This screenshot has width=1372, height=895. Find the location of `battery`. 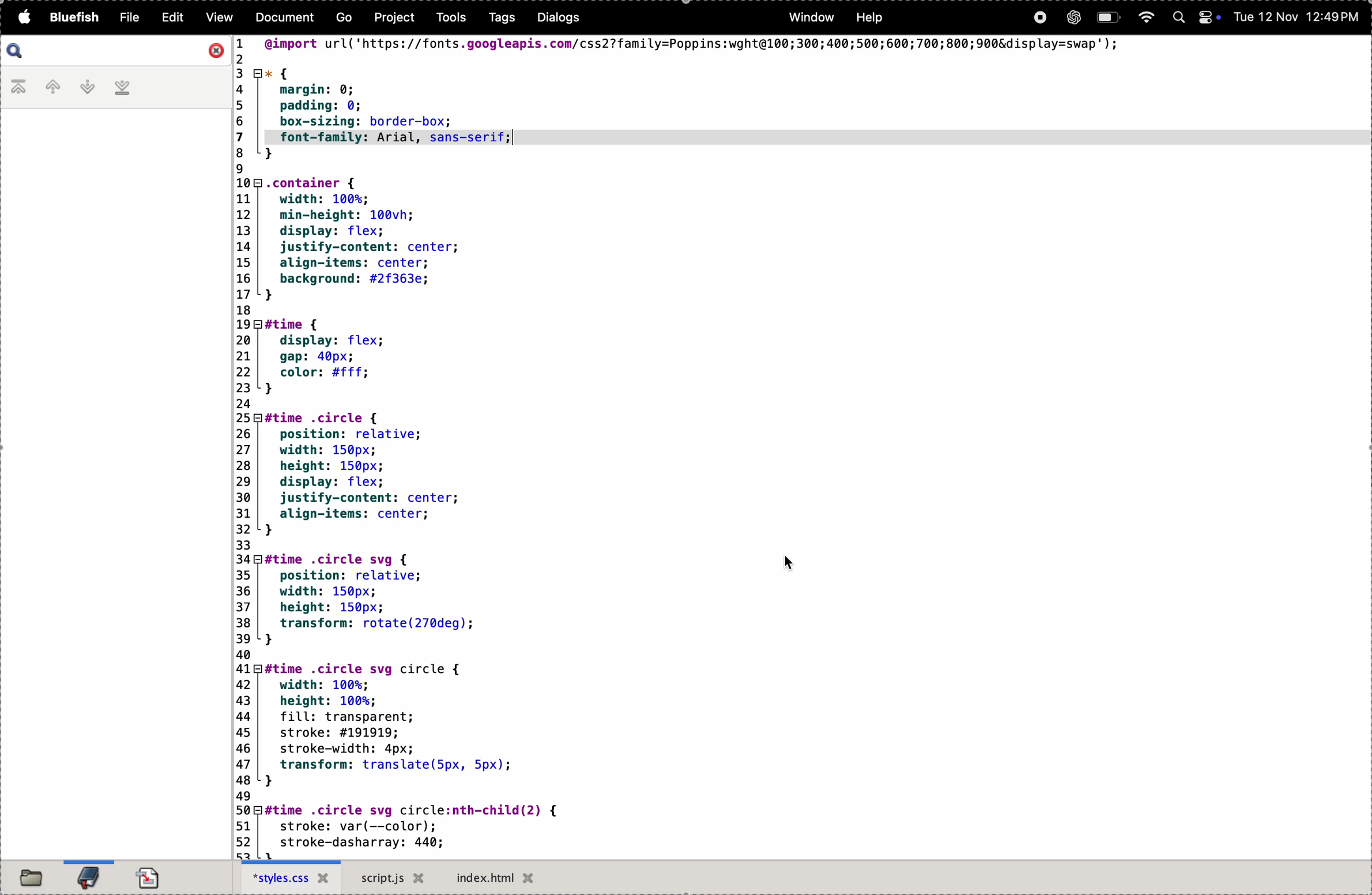

battery is located at coordinates (1109, 18).